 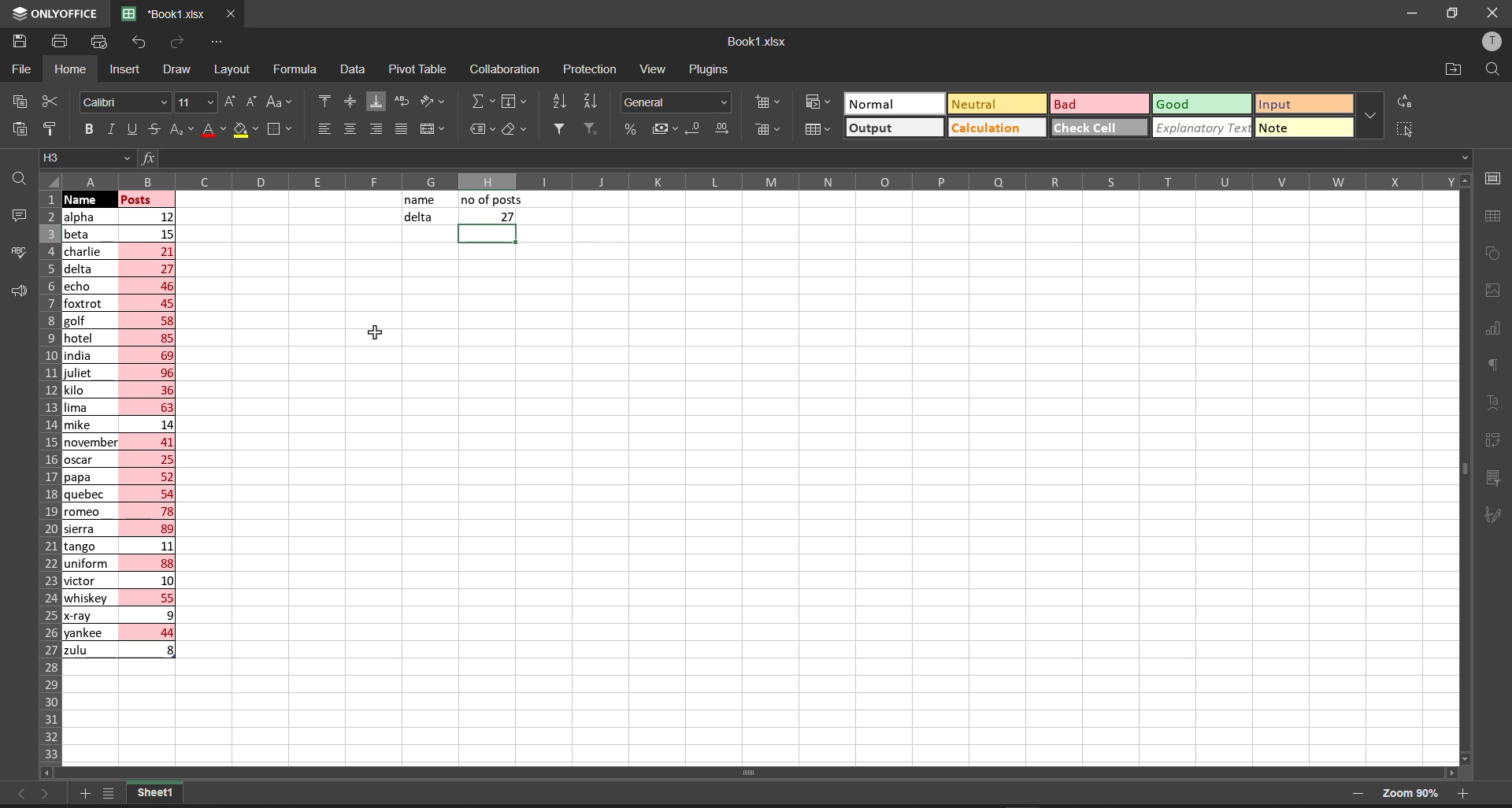 What do you see at coordinates (323, 130) in the screenshot?
I see `align left` at bounding box center [323, 130].